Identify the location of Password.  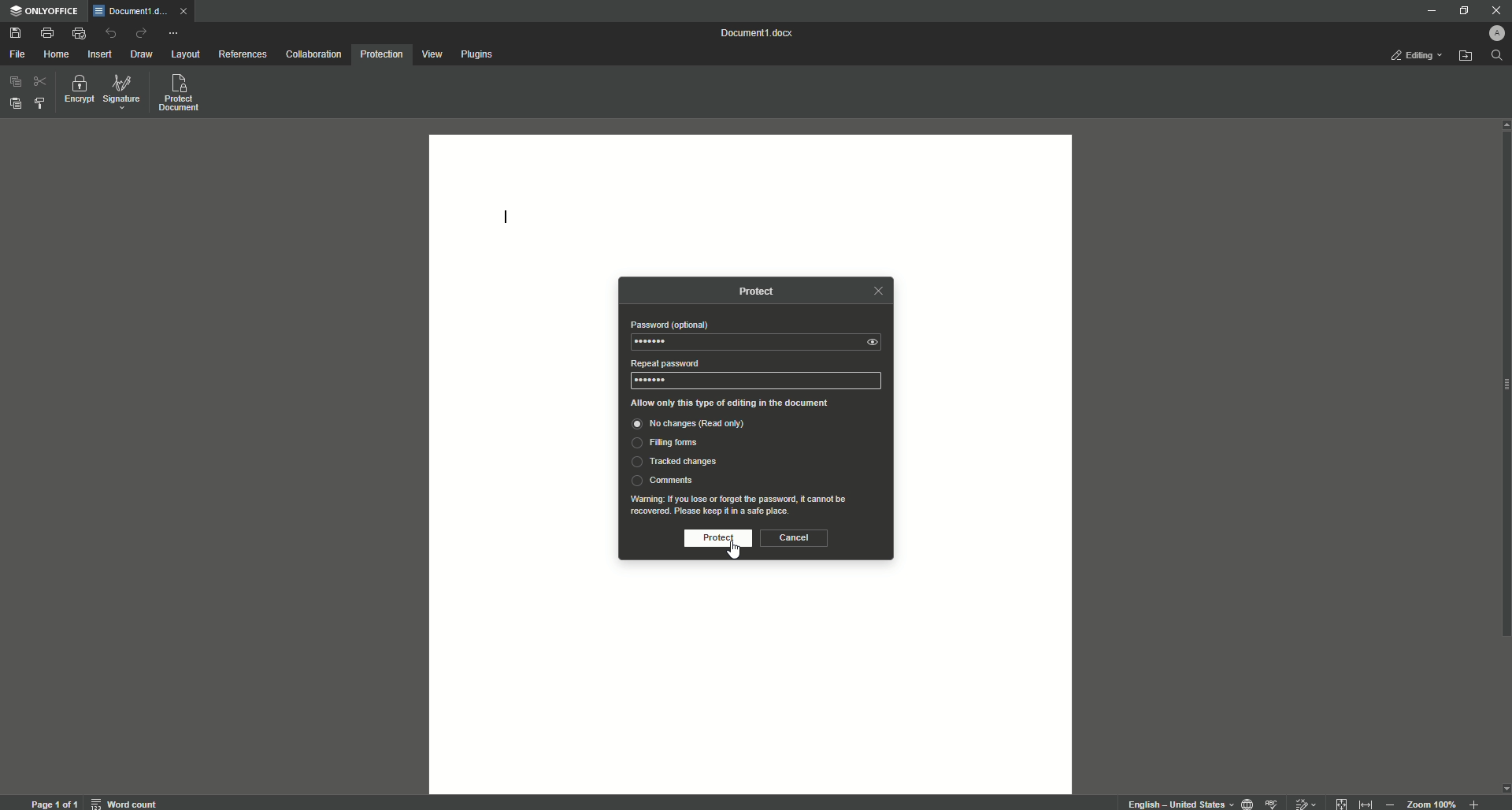
(669, 325).